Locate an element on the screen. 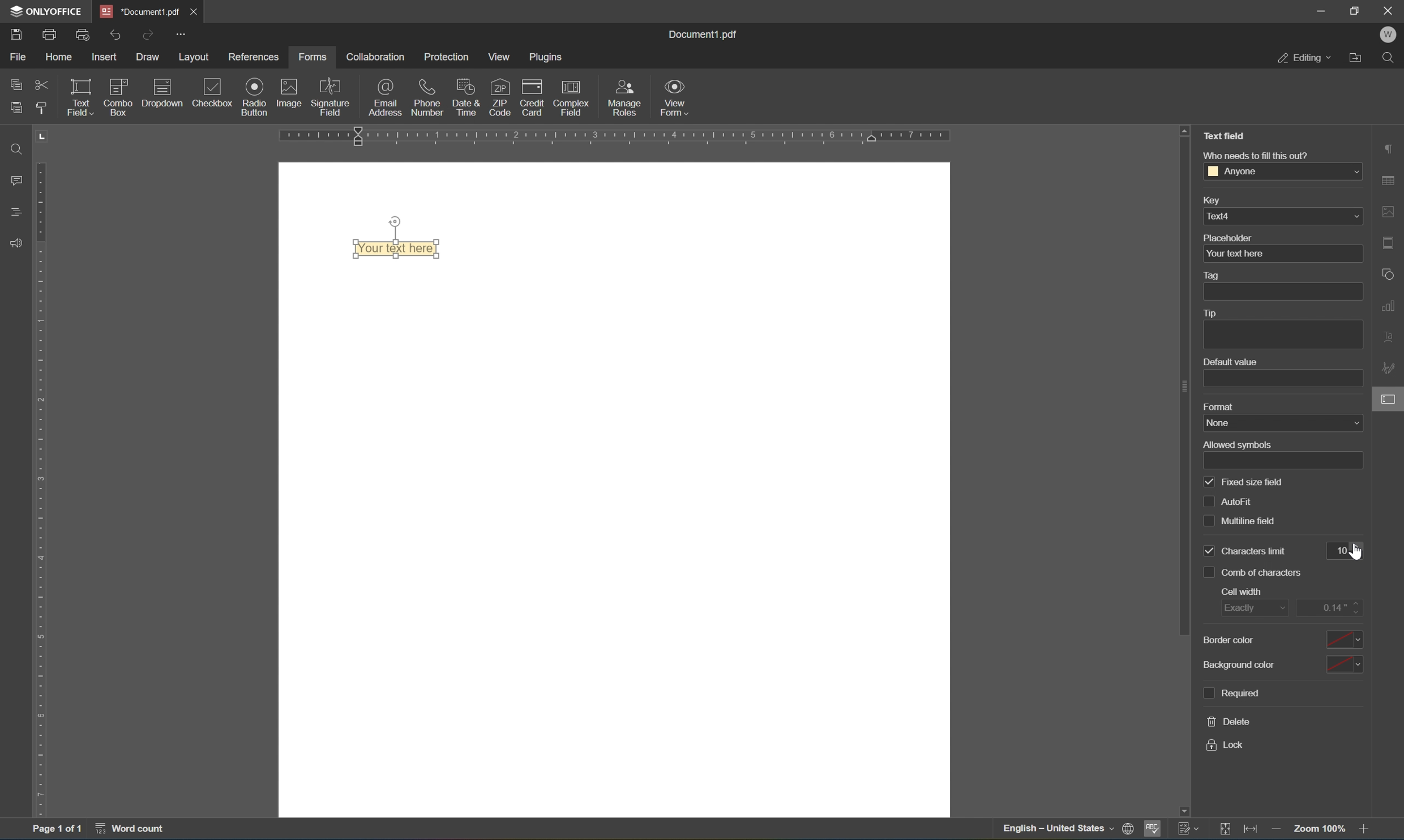  credit card is located at coordinates (532, 99).